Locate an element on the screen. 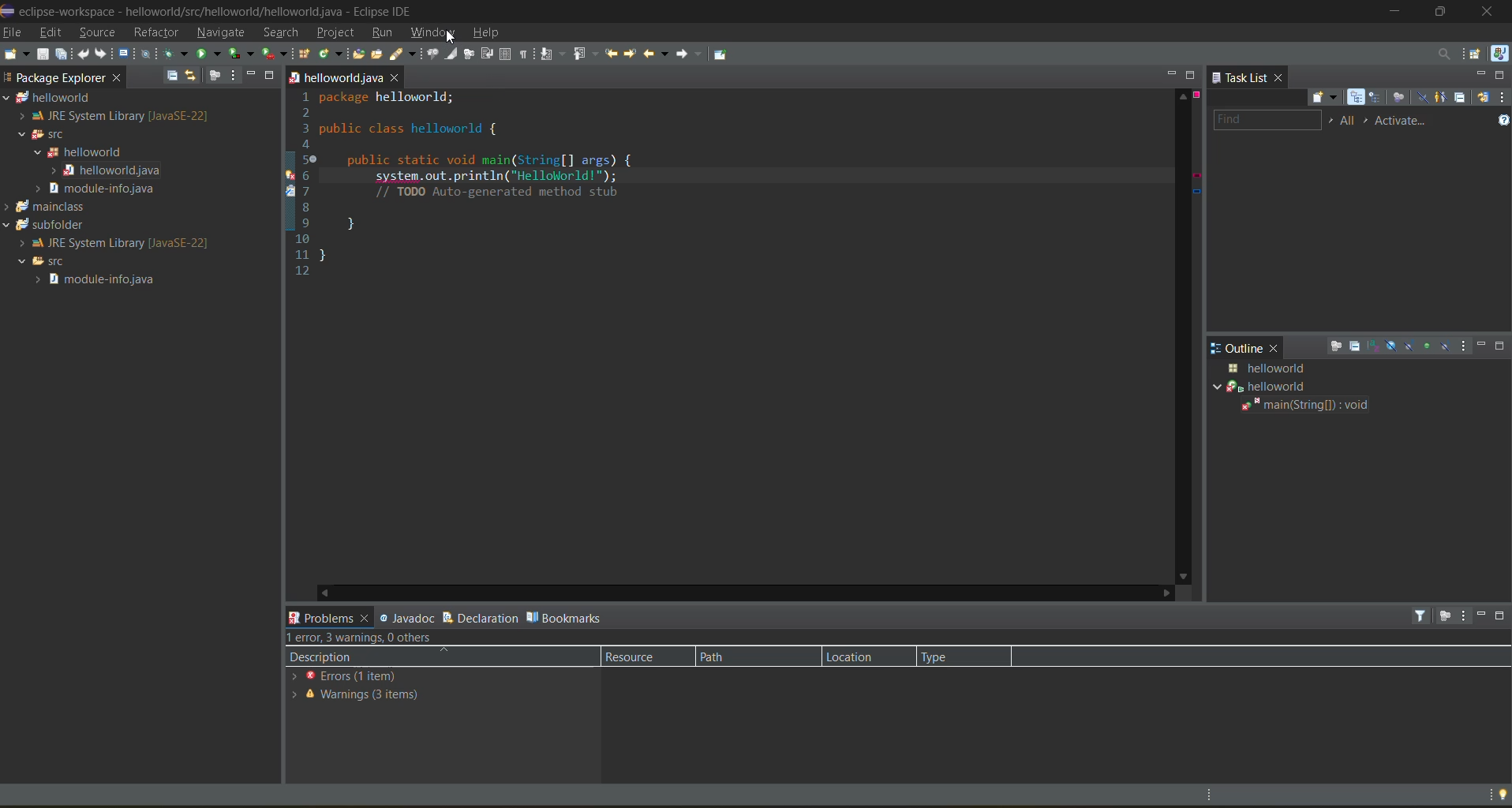 The width and height of the screenshot is (1512, 808). location is located at coordinates (864, 658).